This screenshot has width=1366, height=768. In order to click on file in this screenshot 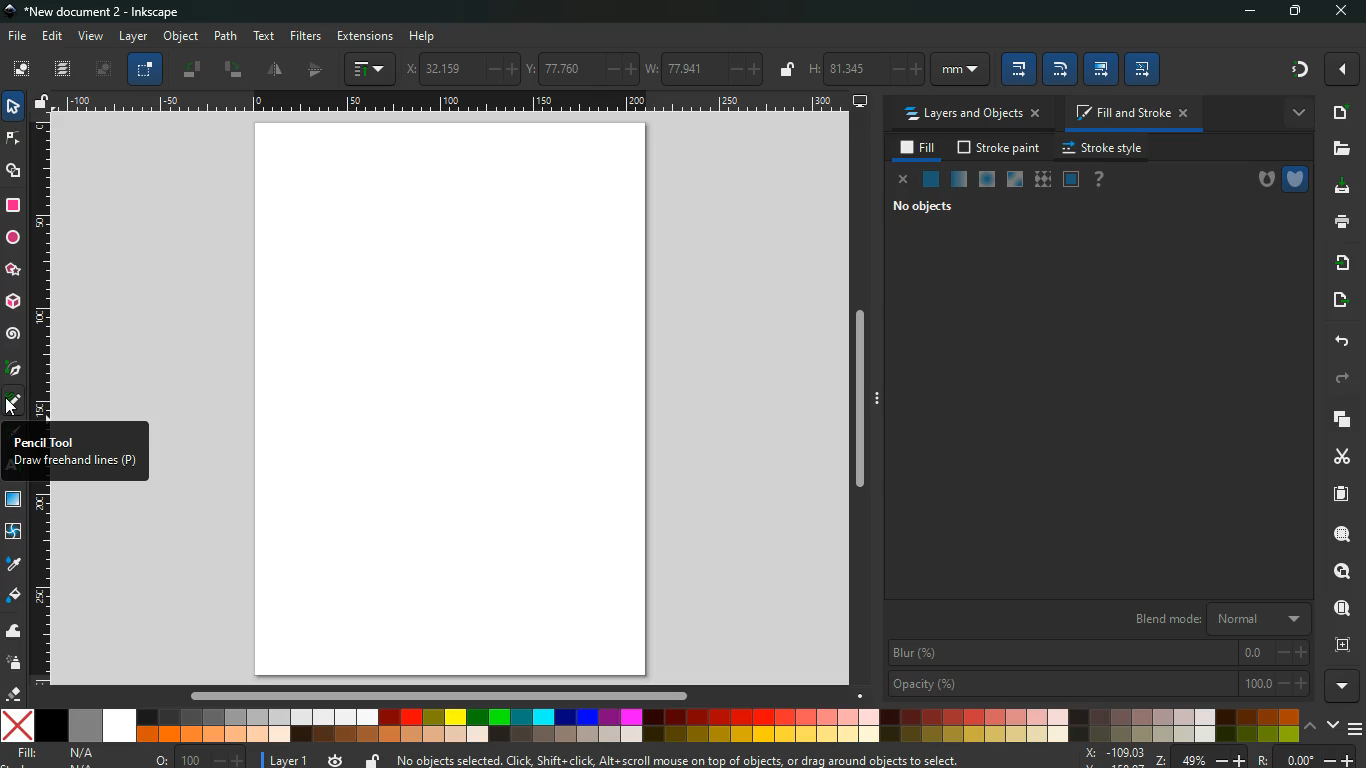, I will do `click(15, 38)`.